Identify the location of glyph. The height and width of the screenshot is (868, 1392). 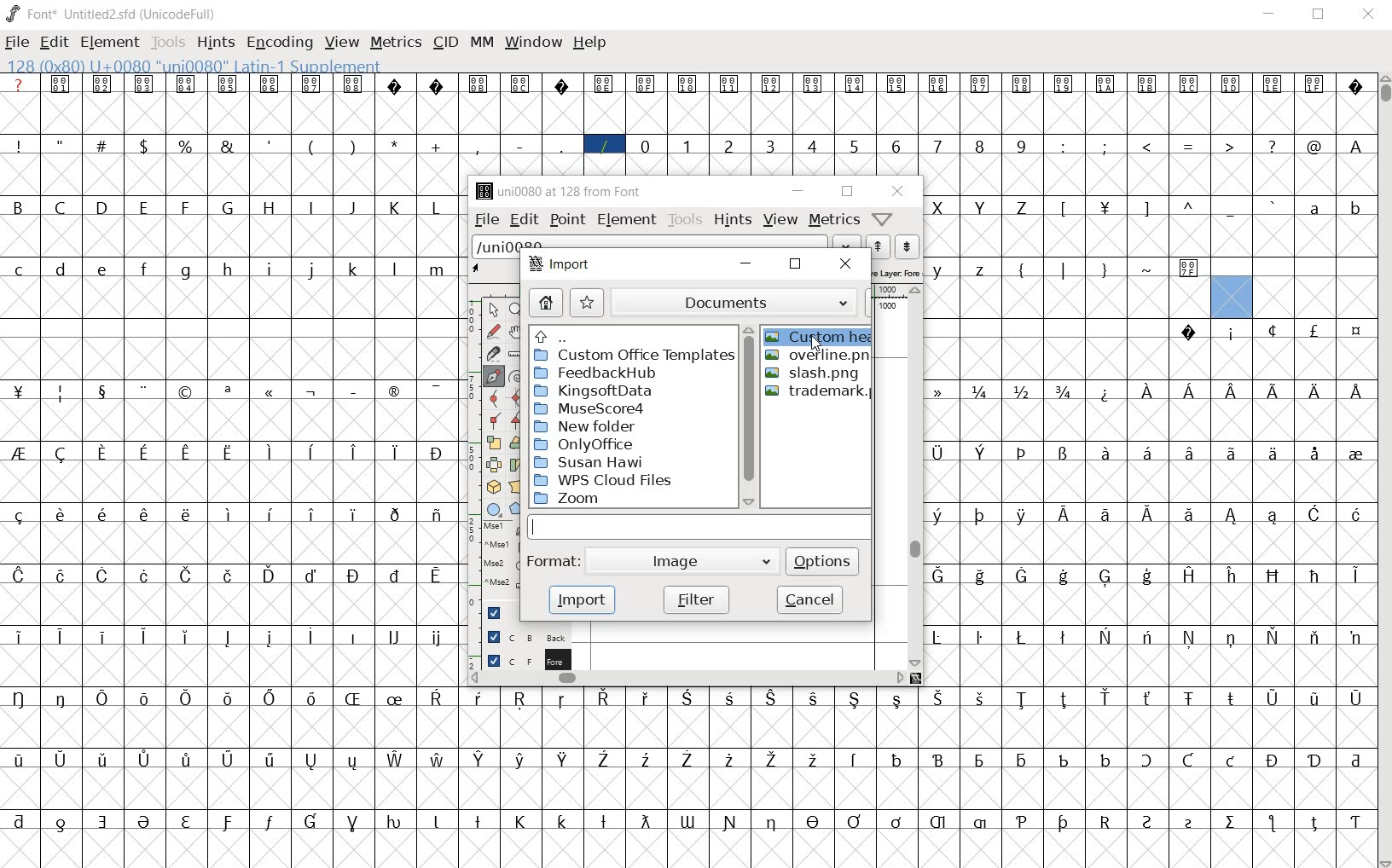
(1189, 391).